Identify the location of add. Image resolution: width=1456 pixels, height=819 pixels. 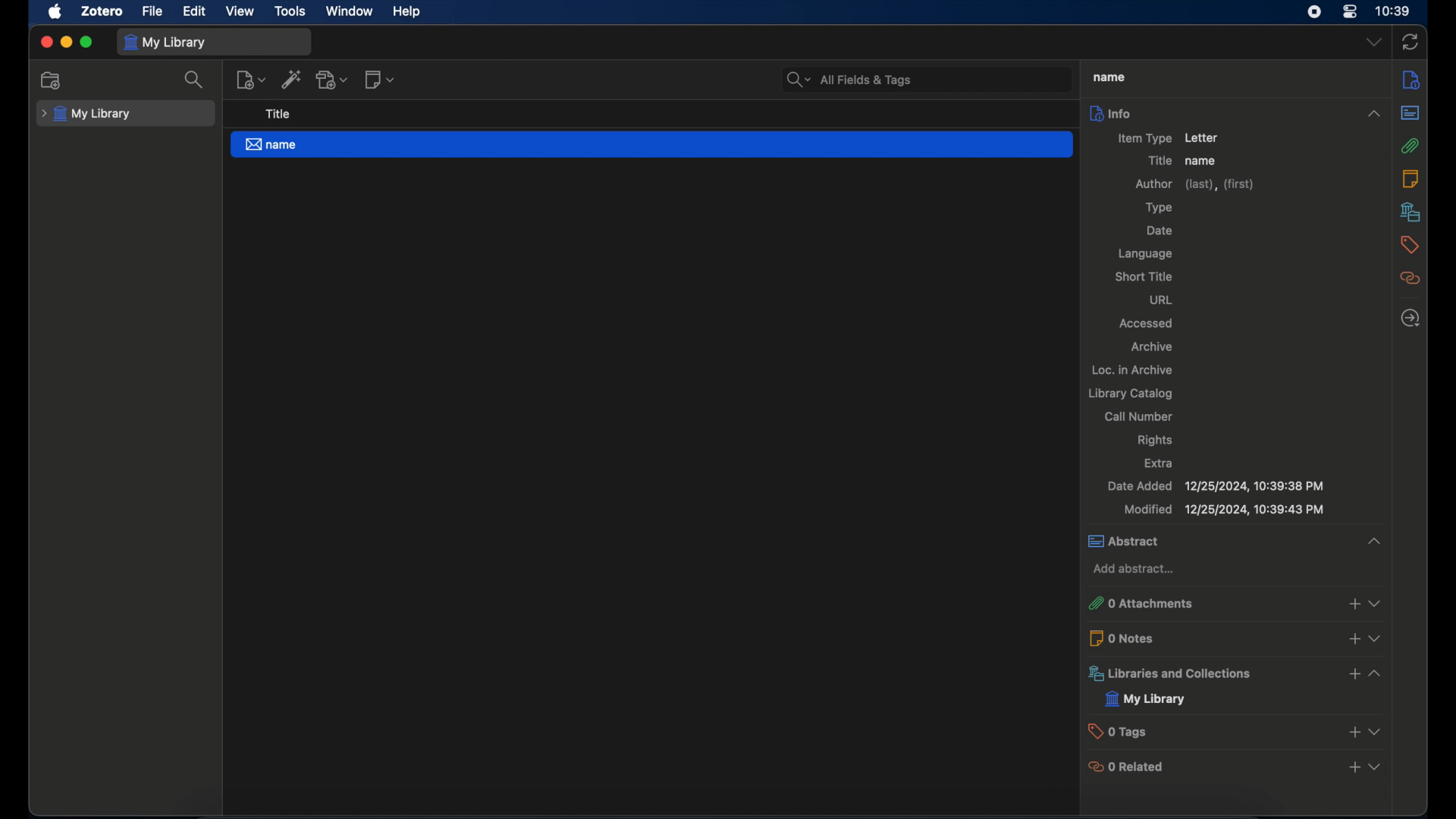
(1353, 674).